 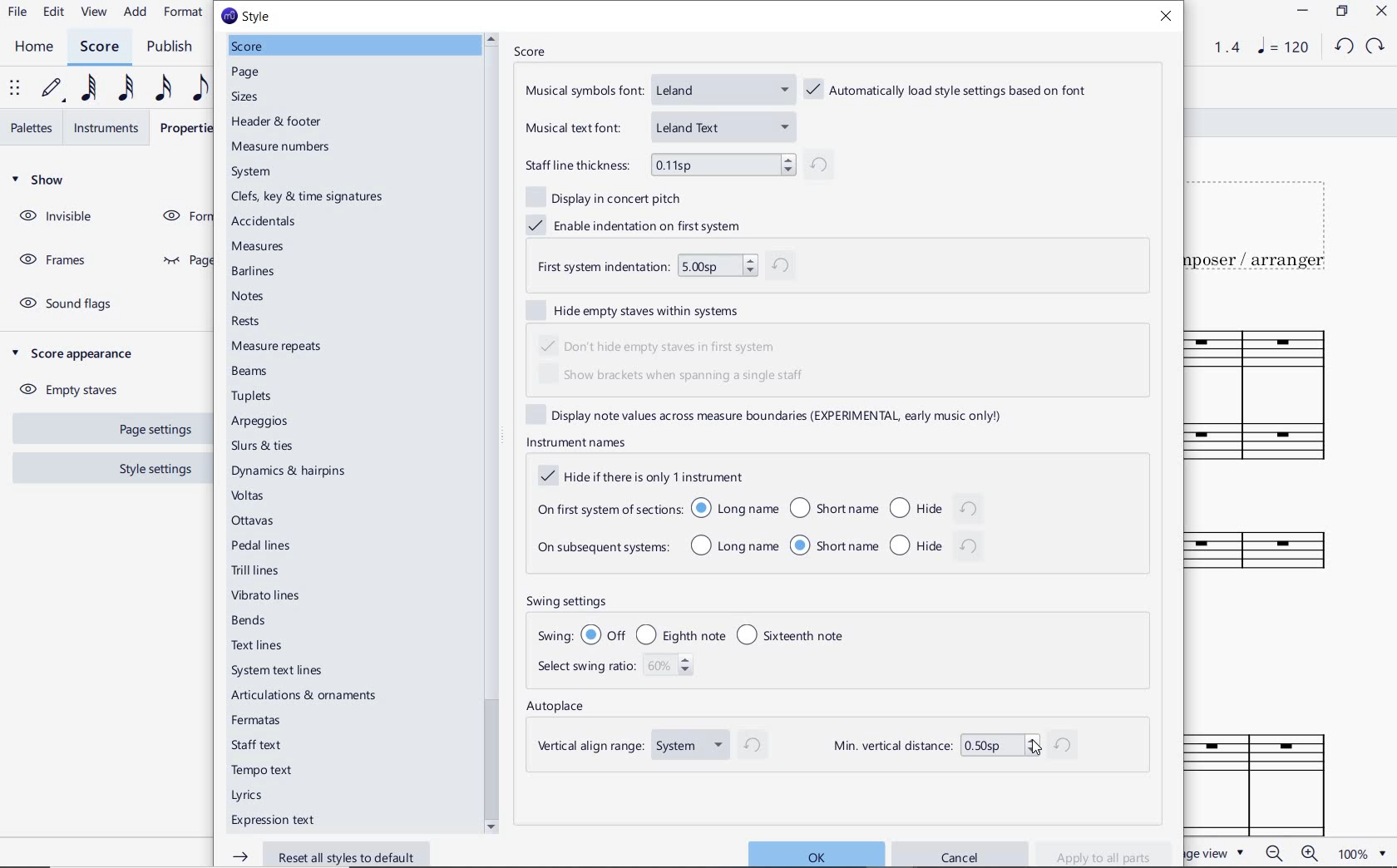 I want to click on swing, so click(x=702, y=634).